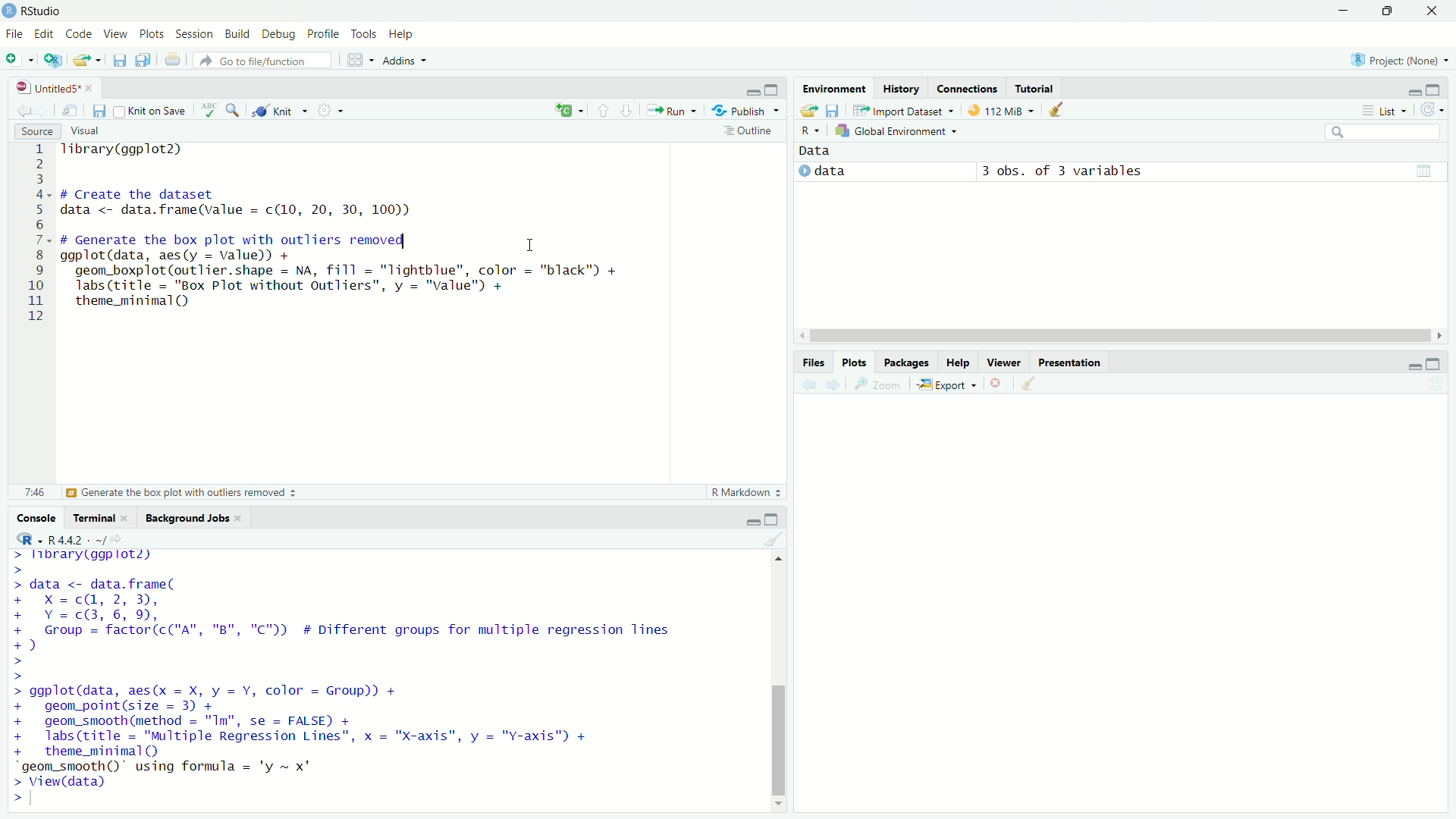 The height and width of the screenshot is (819, 1456). I want to click on @ | Untitled5*, so click(52, 89).